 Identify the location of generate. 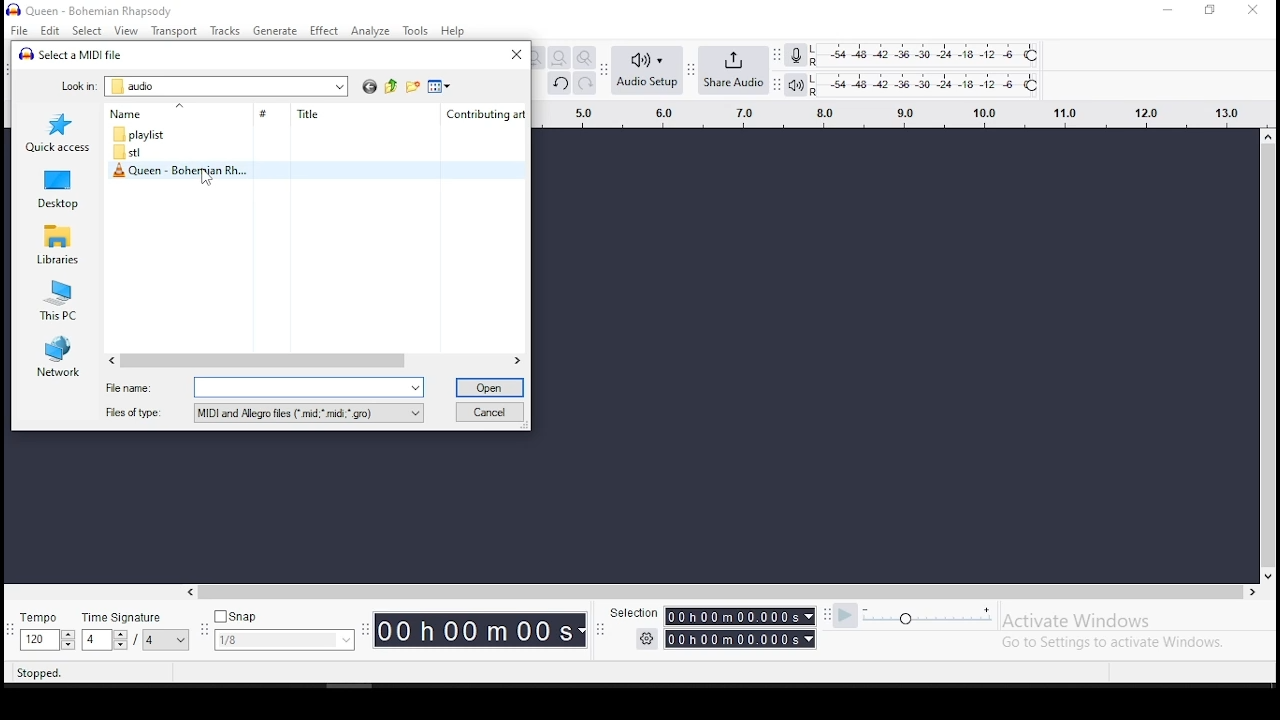
(275, 31).